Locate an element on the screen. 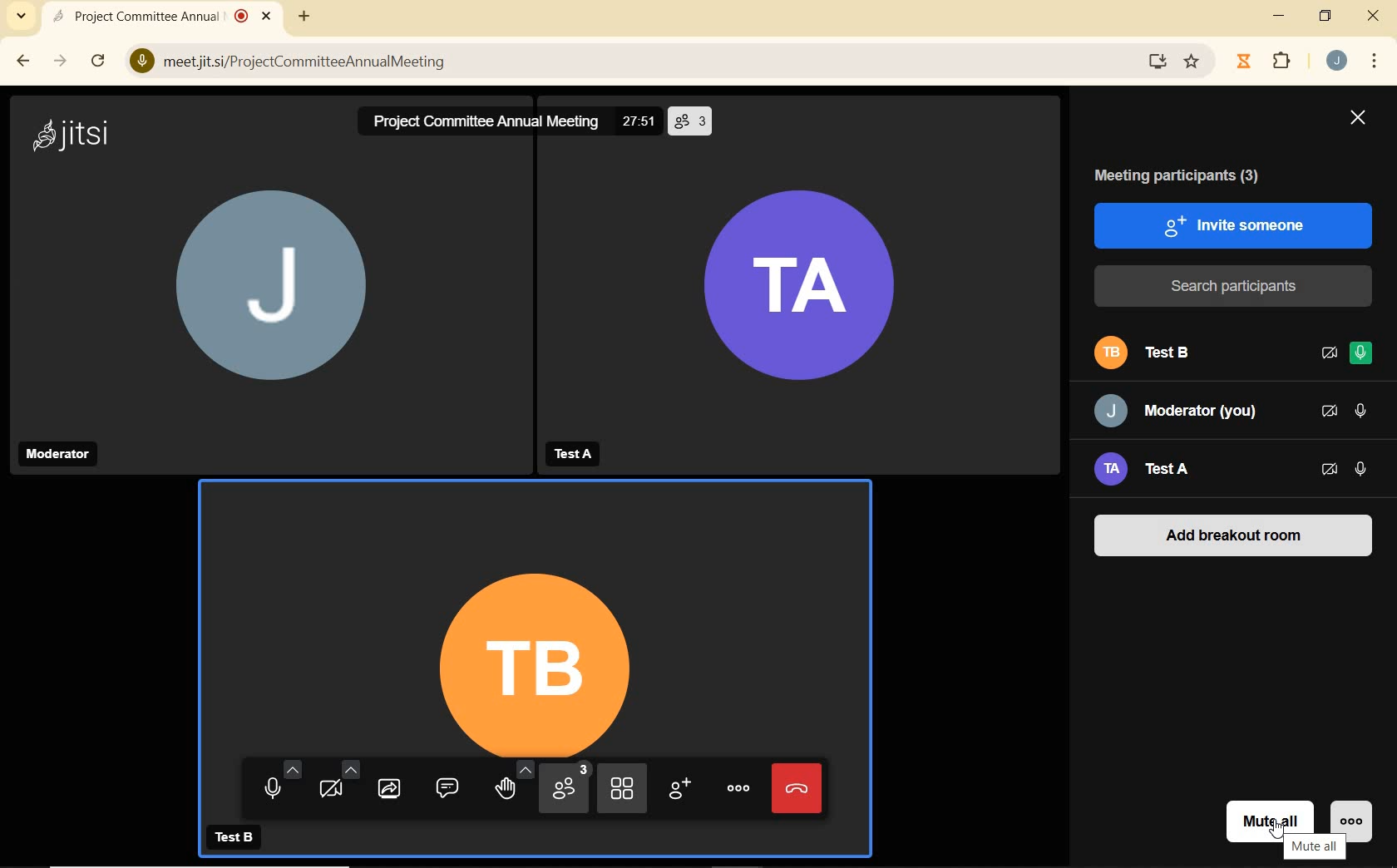 The width and height of the screenshot is (1397, 868). TestB is located at coordinates (239, 838).